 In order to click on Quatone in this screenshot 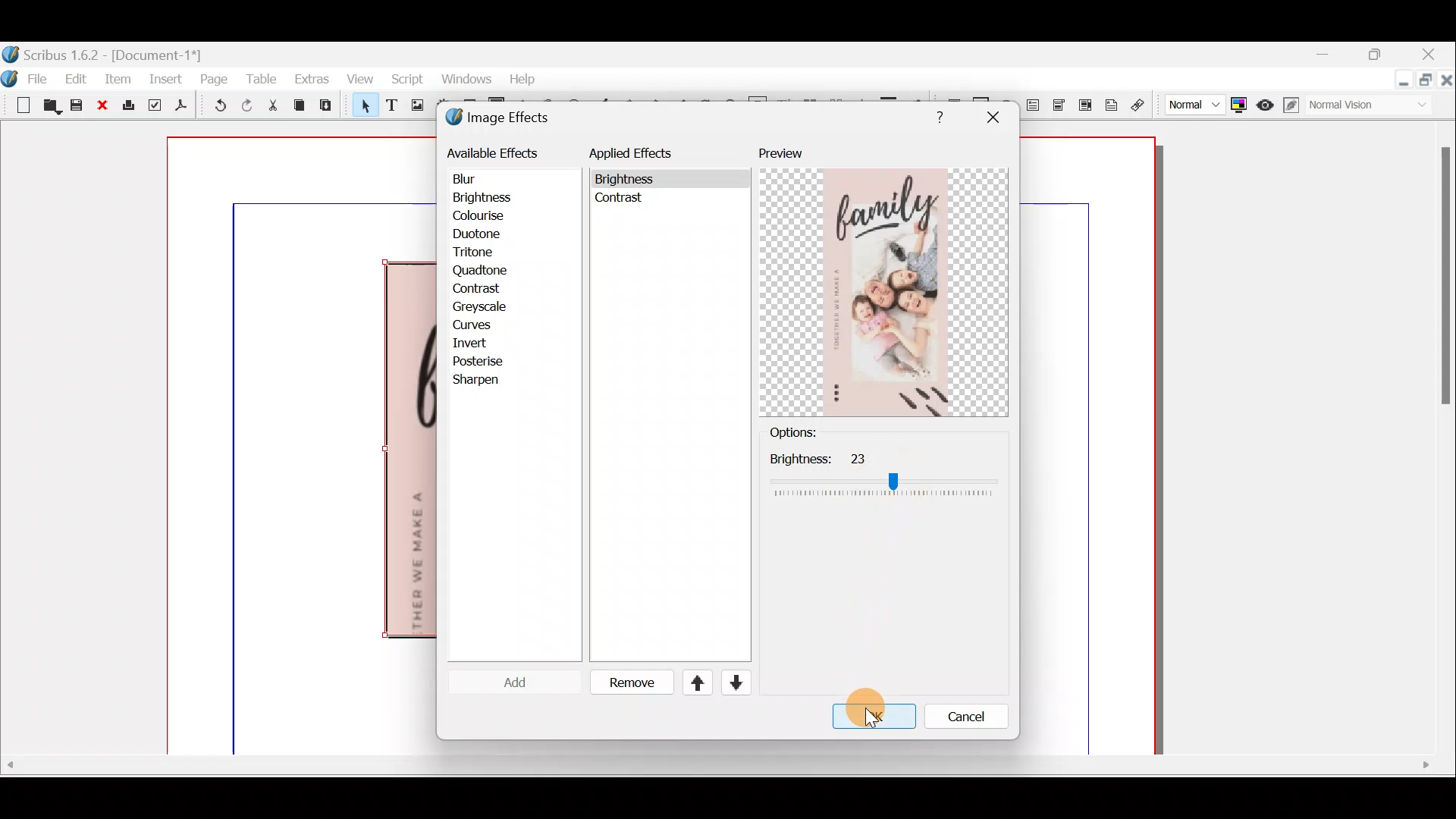, I will do `click(480, 272)`.